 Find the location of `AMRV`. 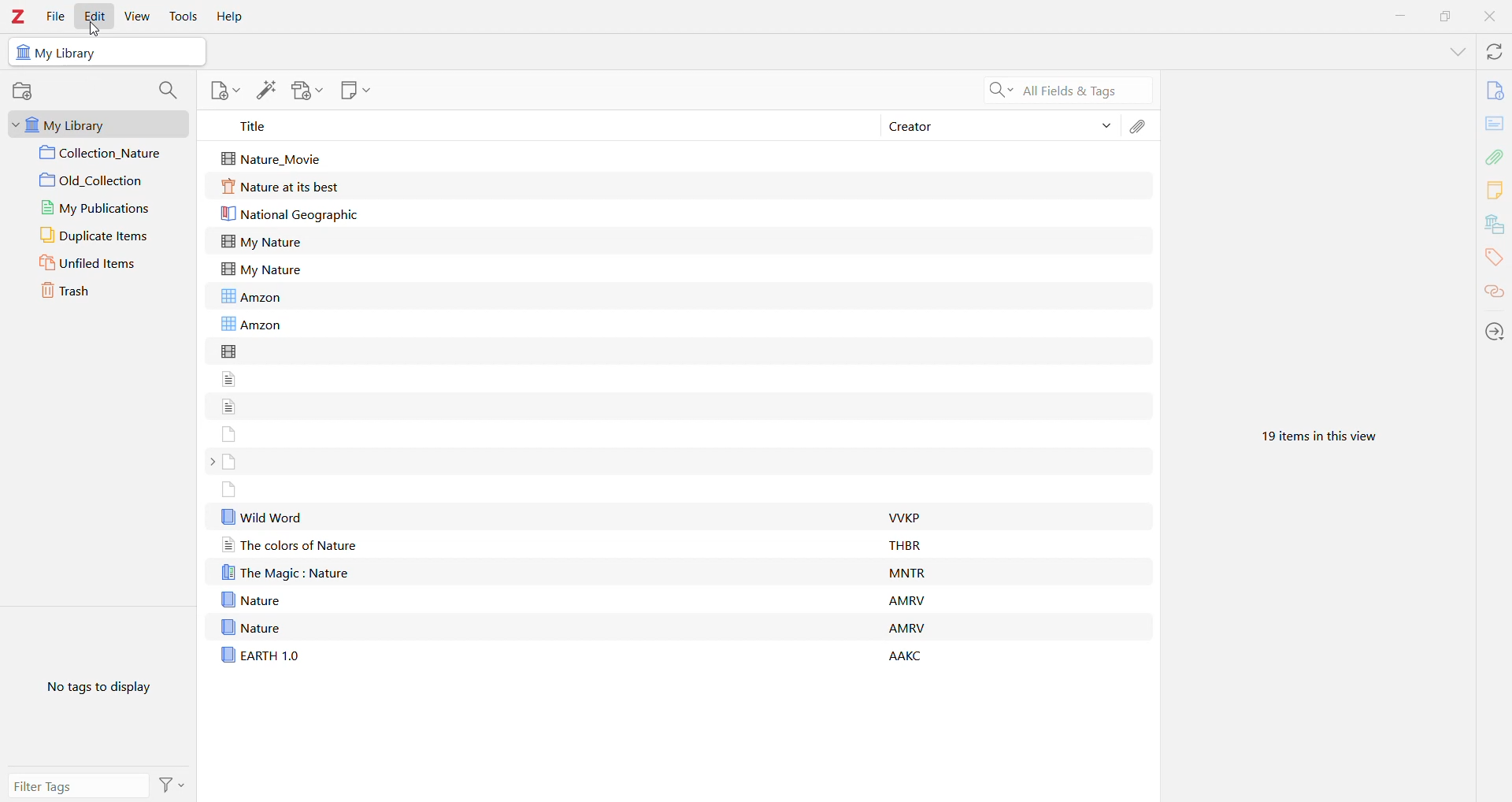

AMRV is located at coordinates (906, 602).